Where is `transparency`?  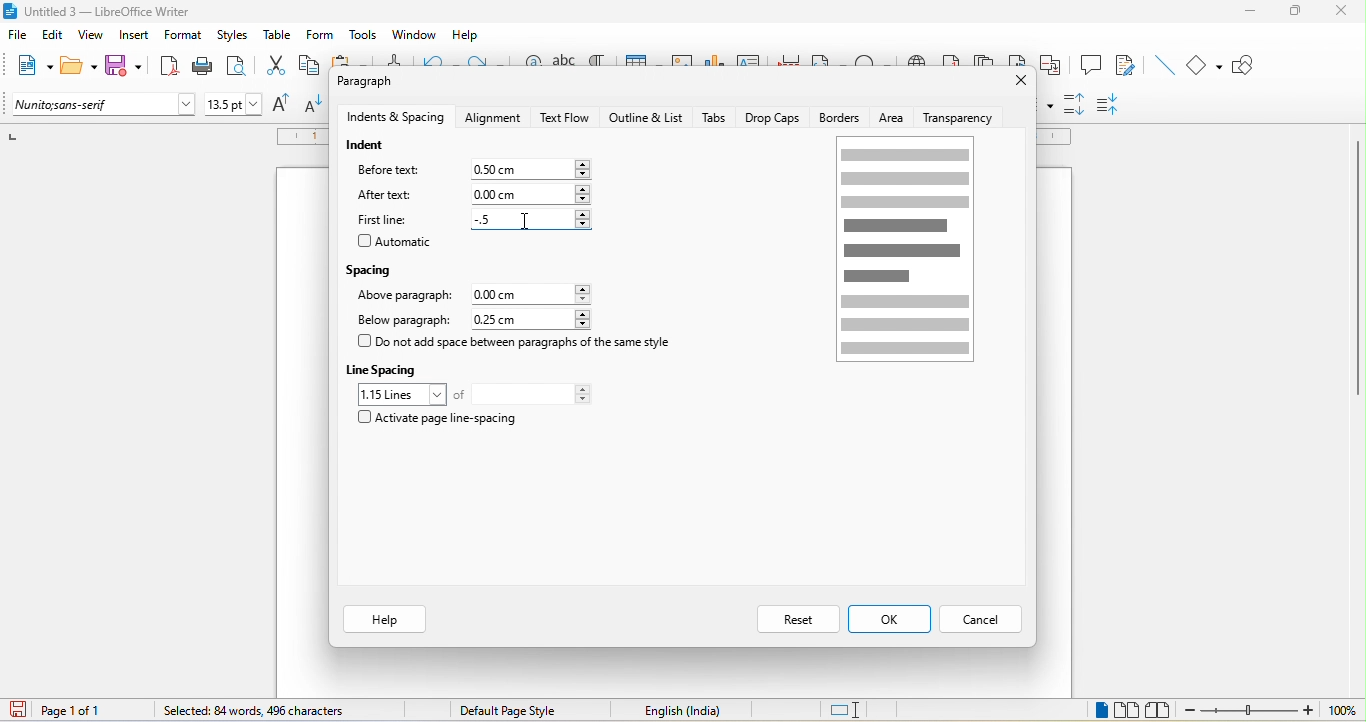 transparency is located at coordinates (960, 119).